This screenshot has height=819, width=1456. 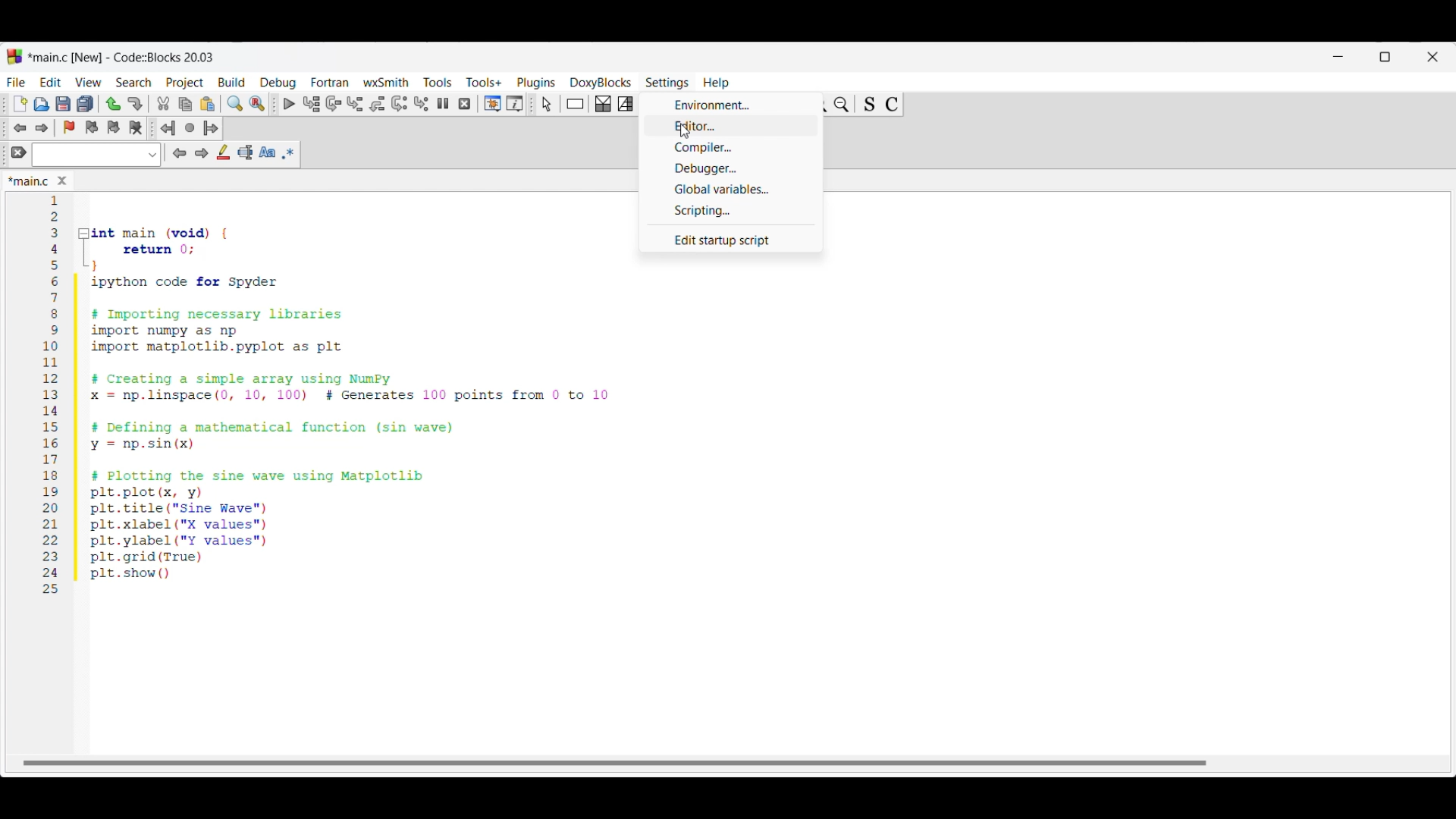 What do you see at coordinates (135, 104) in the screenshot?
I see `Redo` at bounding box center [135, 104].